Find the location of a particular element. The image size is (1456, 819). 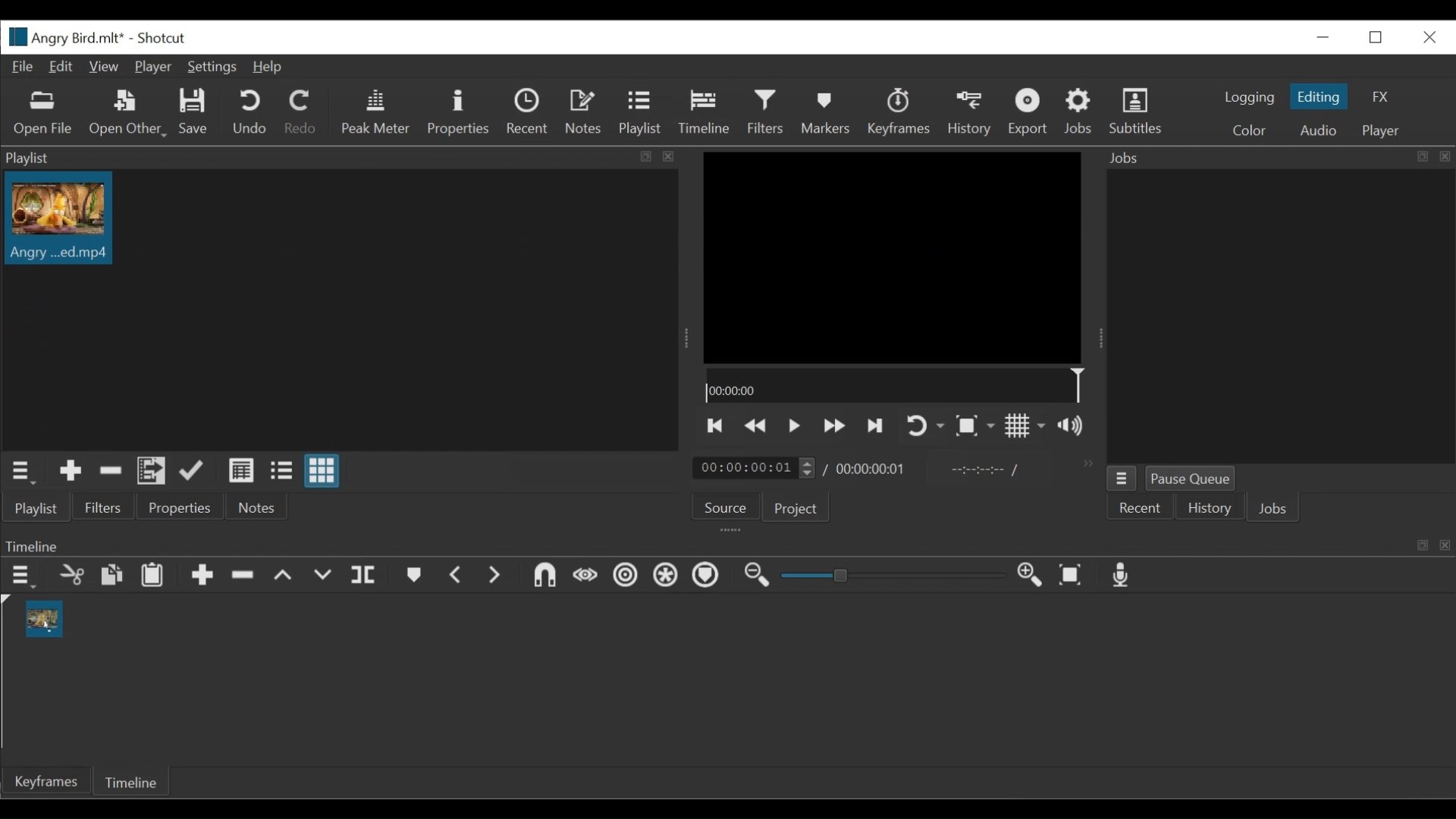

Jobs Panel is located at coordinates (1279, 158).